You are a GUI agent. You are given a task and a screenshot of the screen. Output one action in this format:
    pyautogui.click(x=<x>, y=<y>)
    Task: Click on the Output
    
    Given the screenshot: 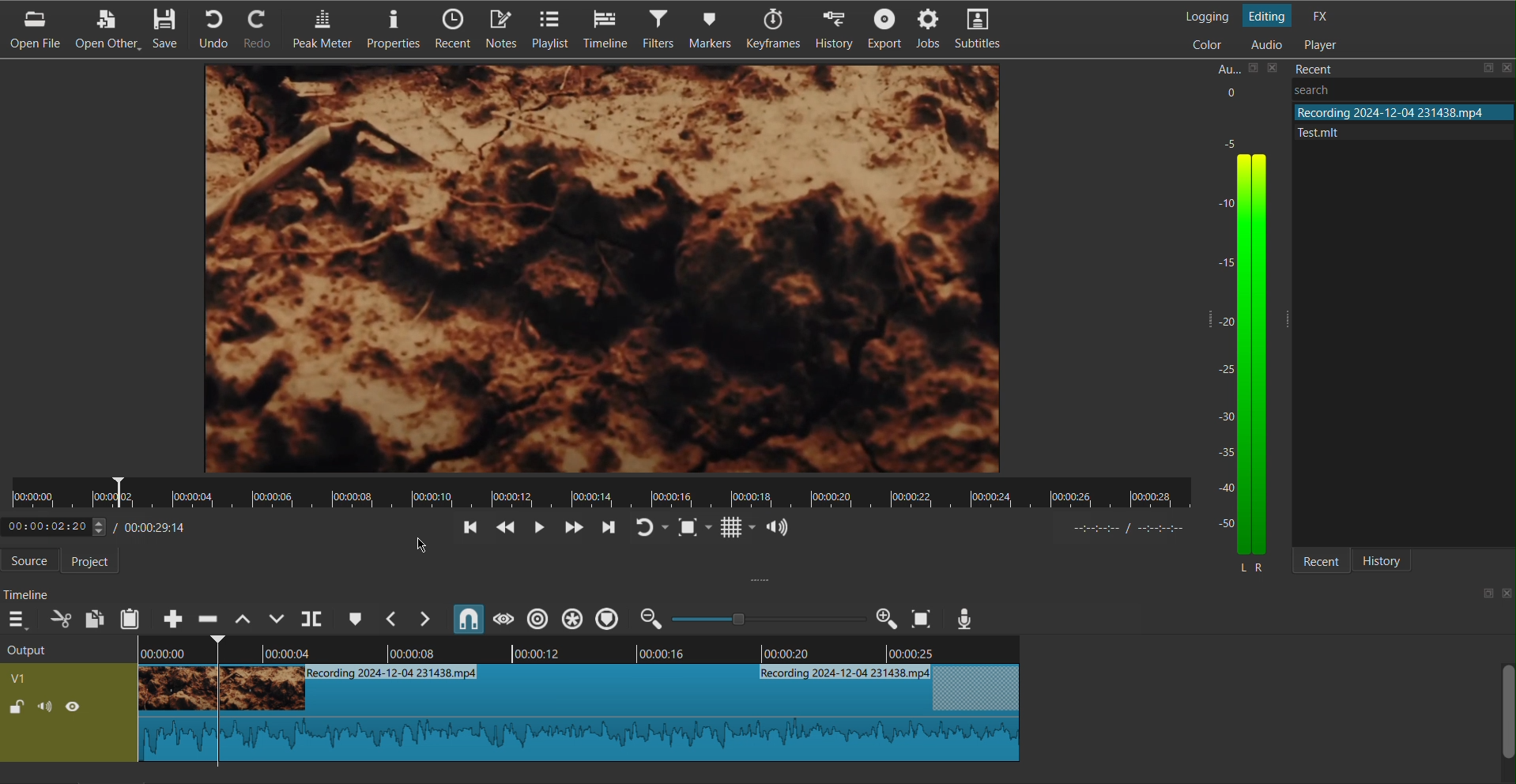 What is the action you would take?
    pyautogui.click(x=44, y=650)
    